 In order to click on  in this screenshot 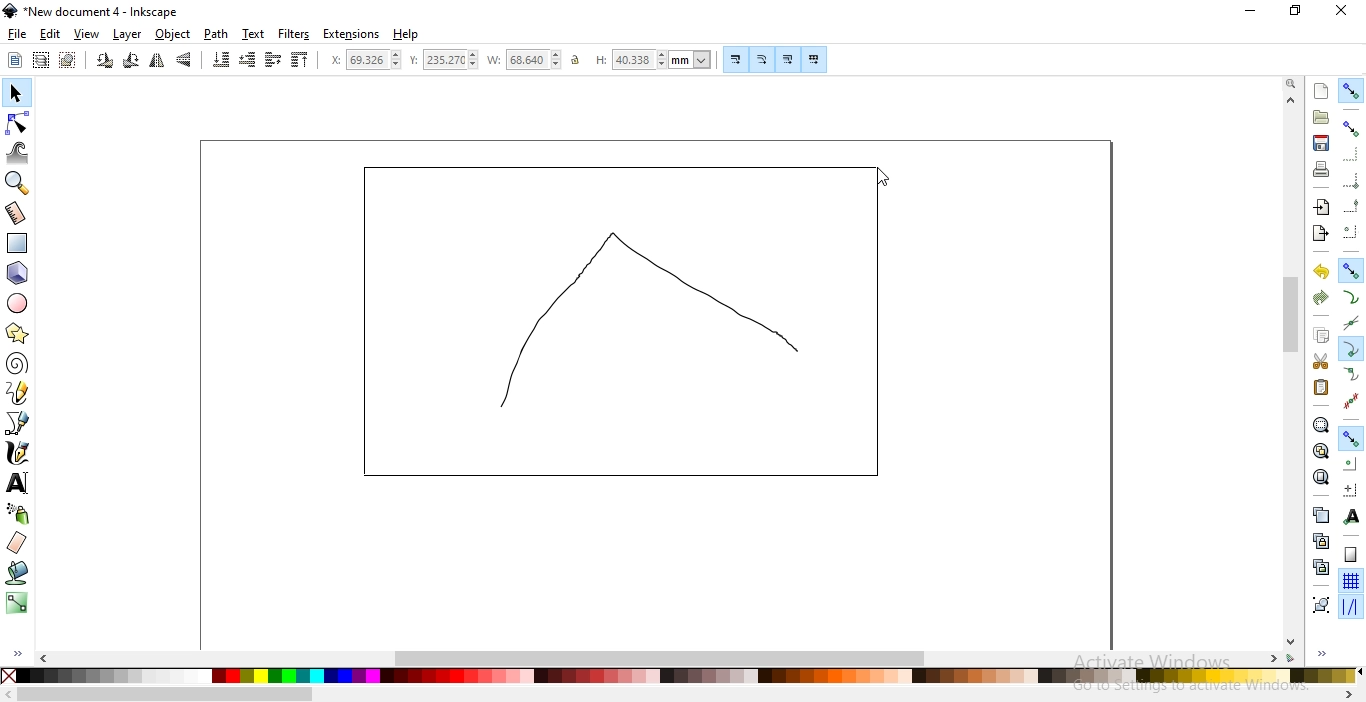, I will do `click(737, 59)`.